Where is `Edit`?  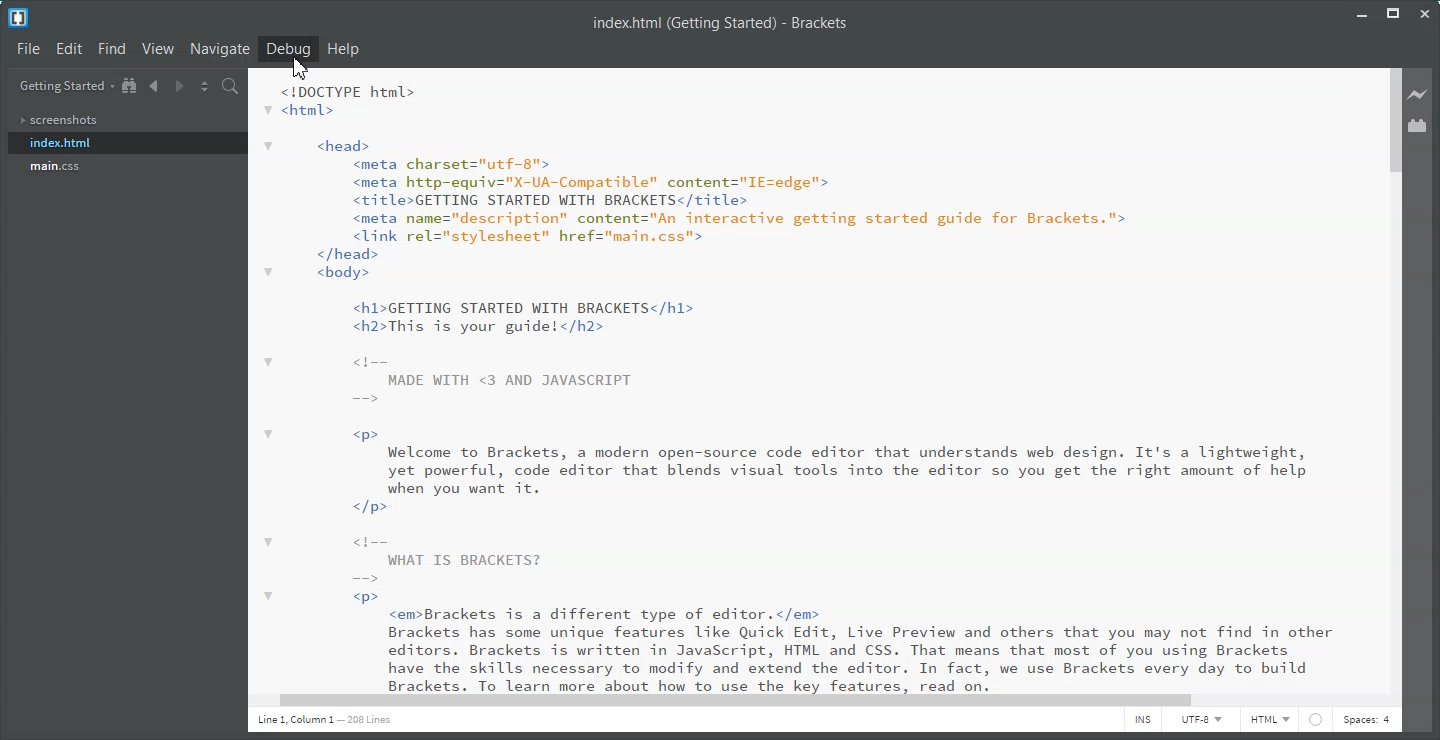
Edit is located at coordinates (70, 49).